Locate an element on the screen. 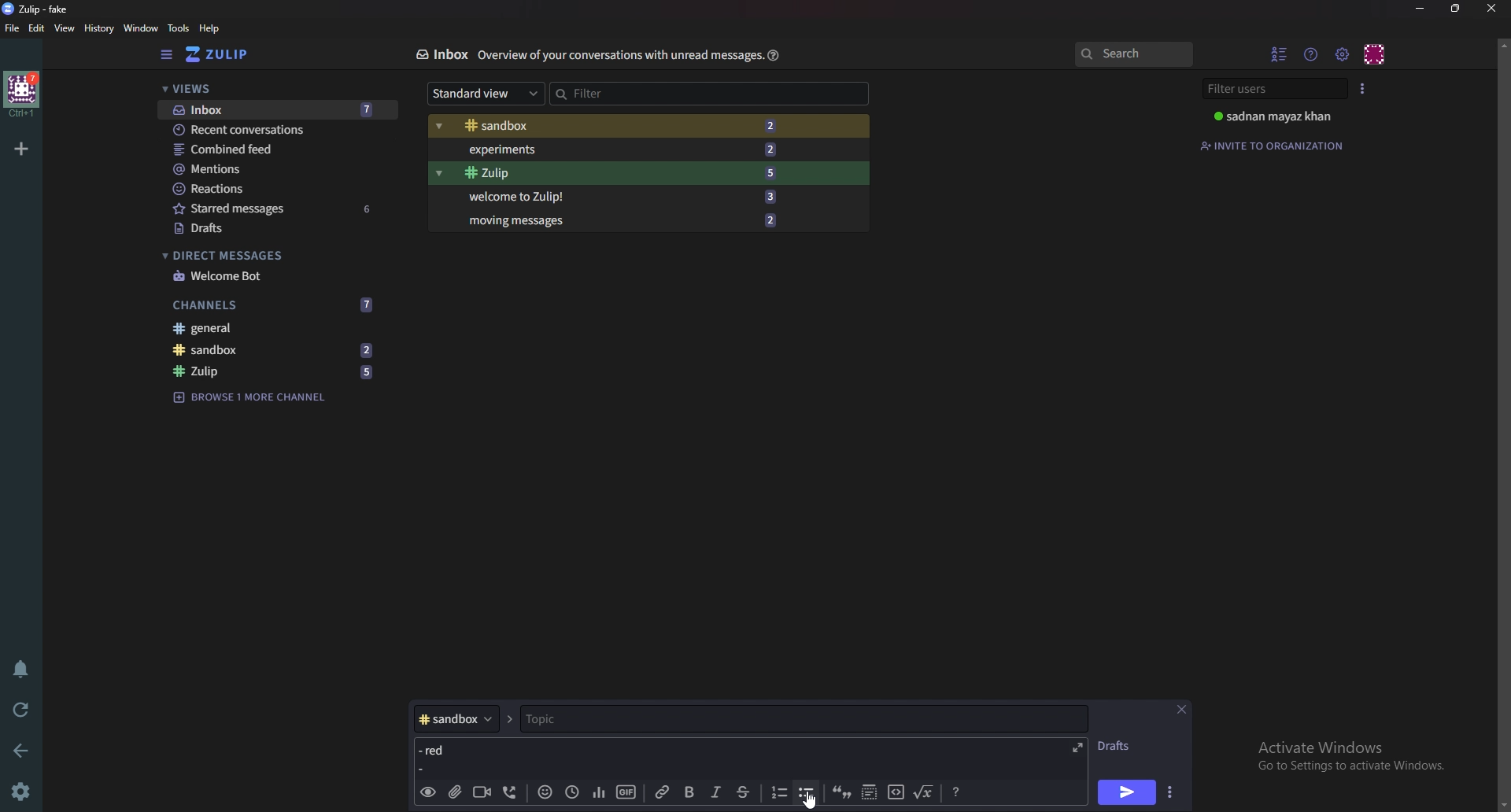 The width and height of the screenshot is (1511, 812). Strike through is located at coordinates (743, 792).